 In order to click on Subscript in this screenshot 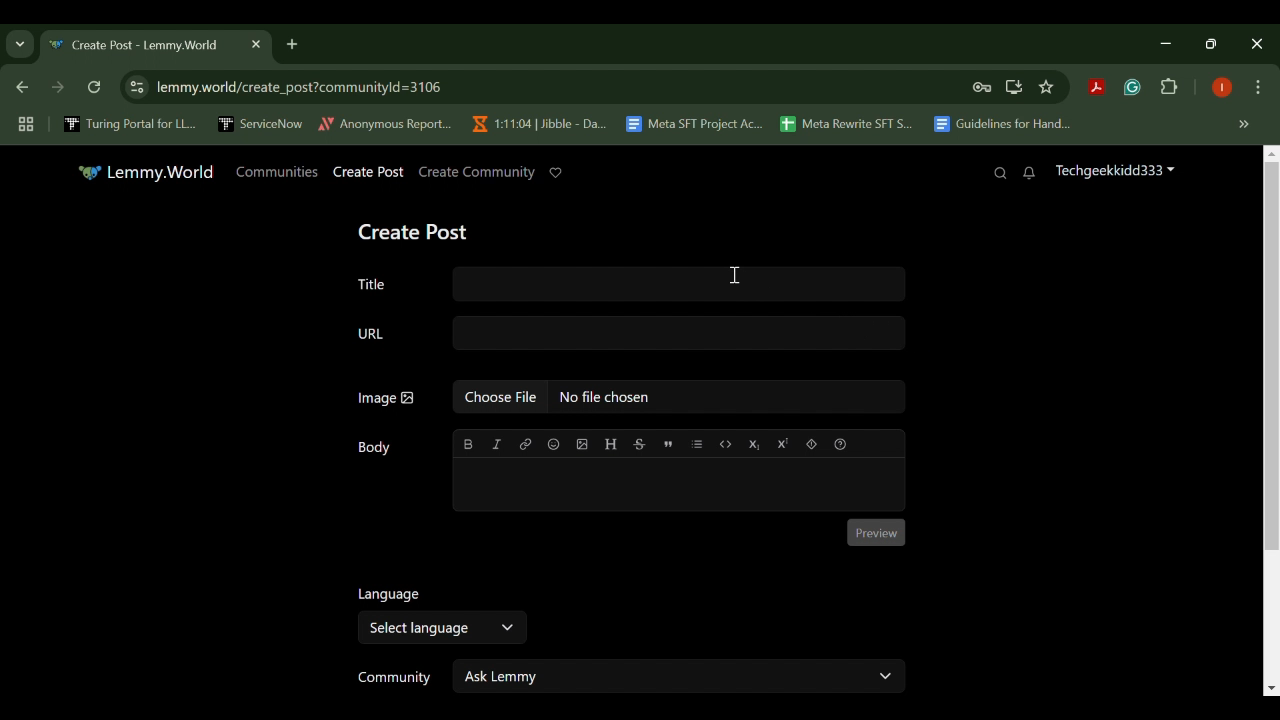, I will do `click(755, 443)`.